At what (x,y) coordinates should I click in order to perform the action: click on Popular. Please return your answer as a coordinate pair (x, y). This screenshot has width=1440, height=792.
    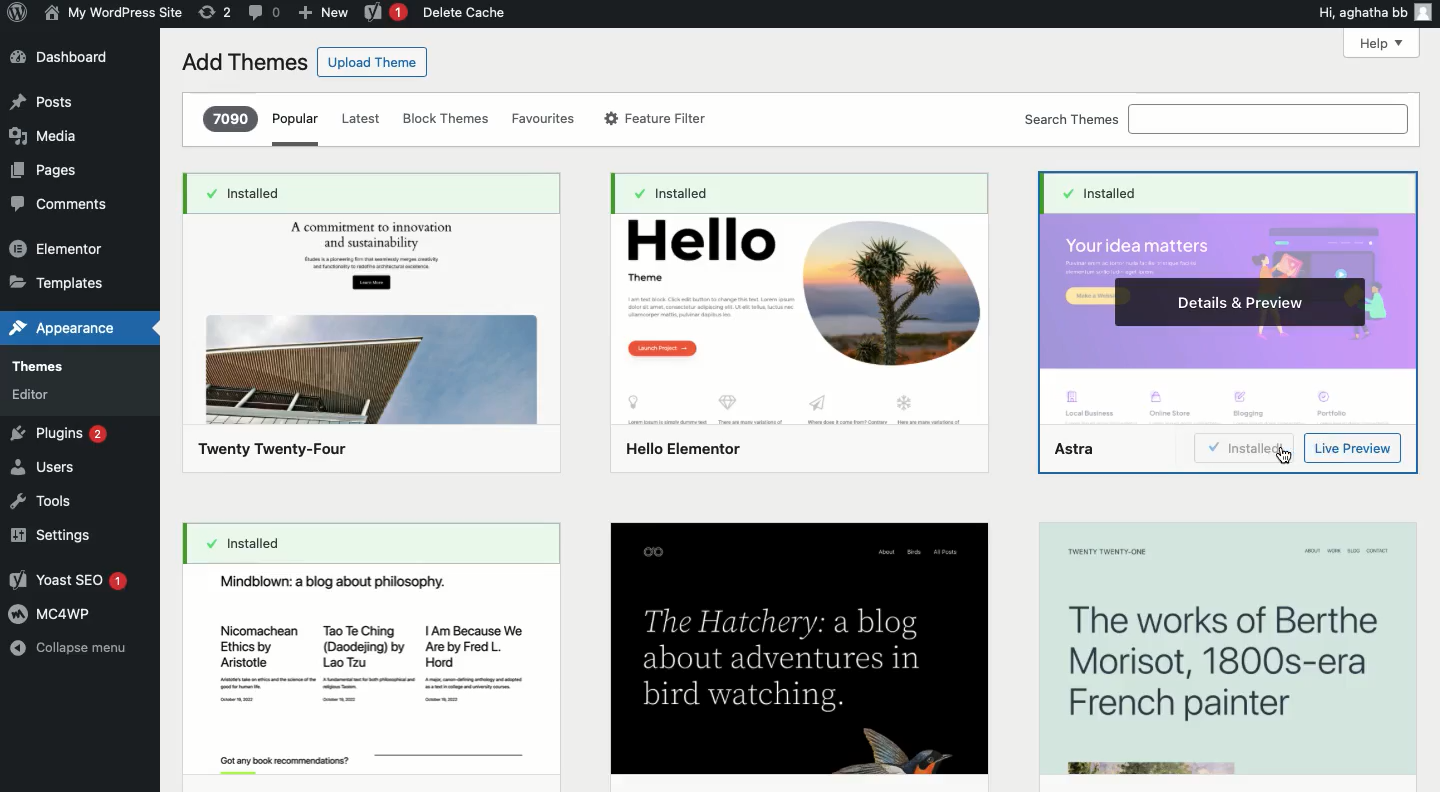
    Looking at the image, I should click on (296, 128).